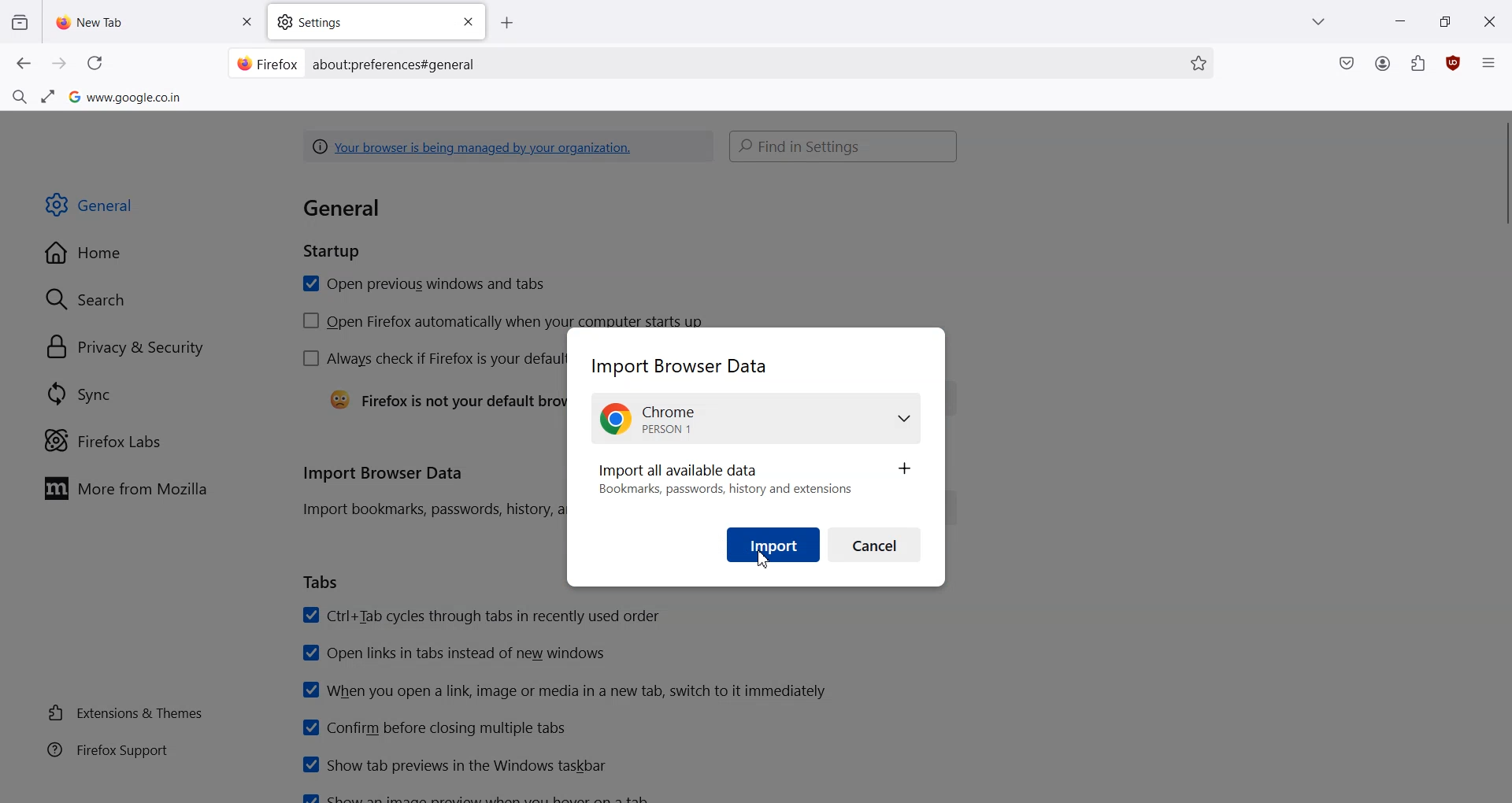 The image size is (1512, 803). I want to click on Add new Tab, so click(510, 23).